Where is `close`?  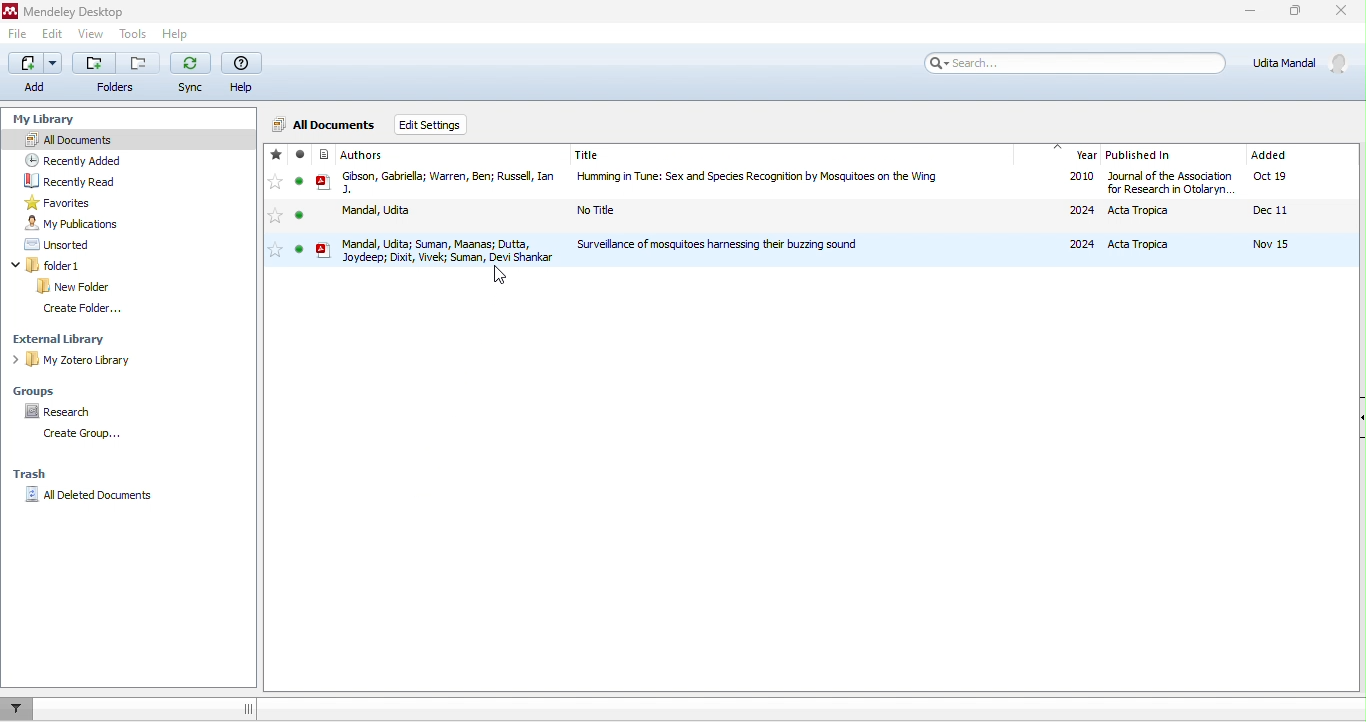
close is located at coordinates (1342, 12).